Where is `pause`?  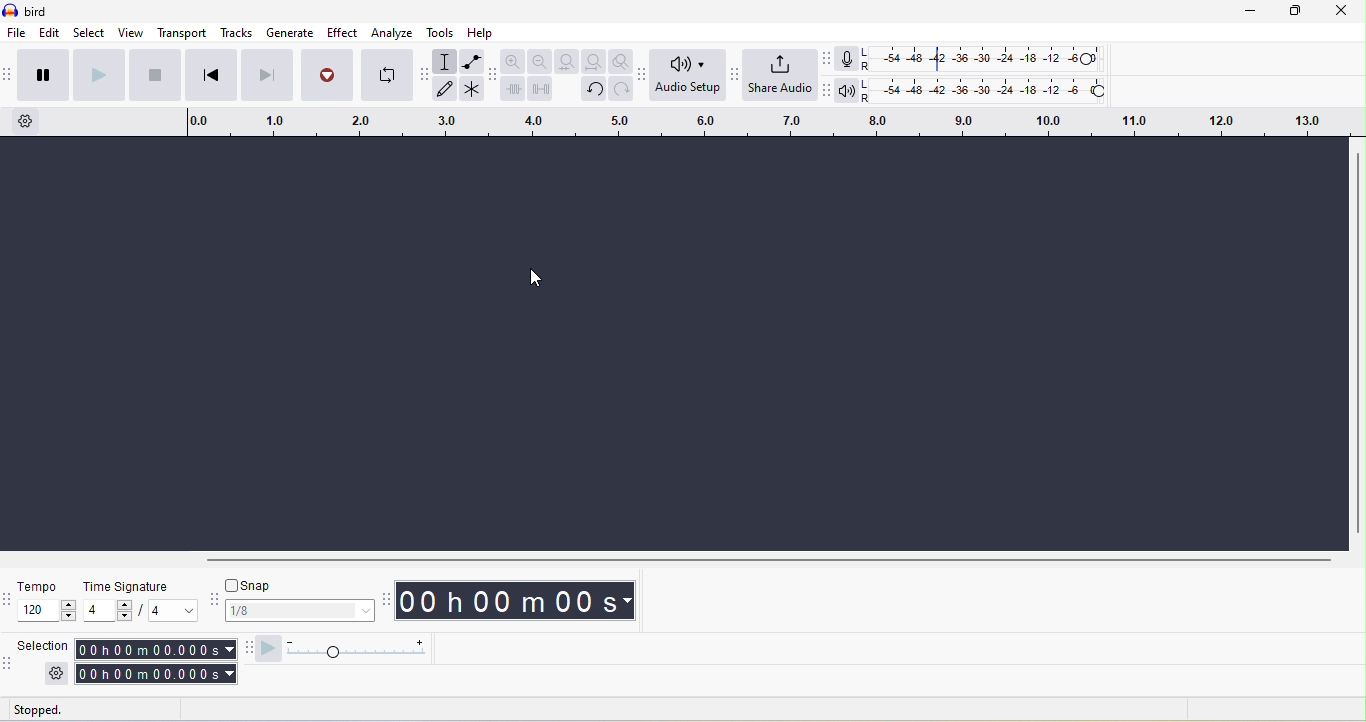 pause is located at coordinates (41, 74).